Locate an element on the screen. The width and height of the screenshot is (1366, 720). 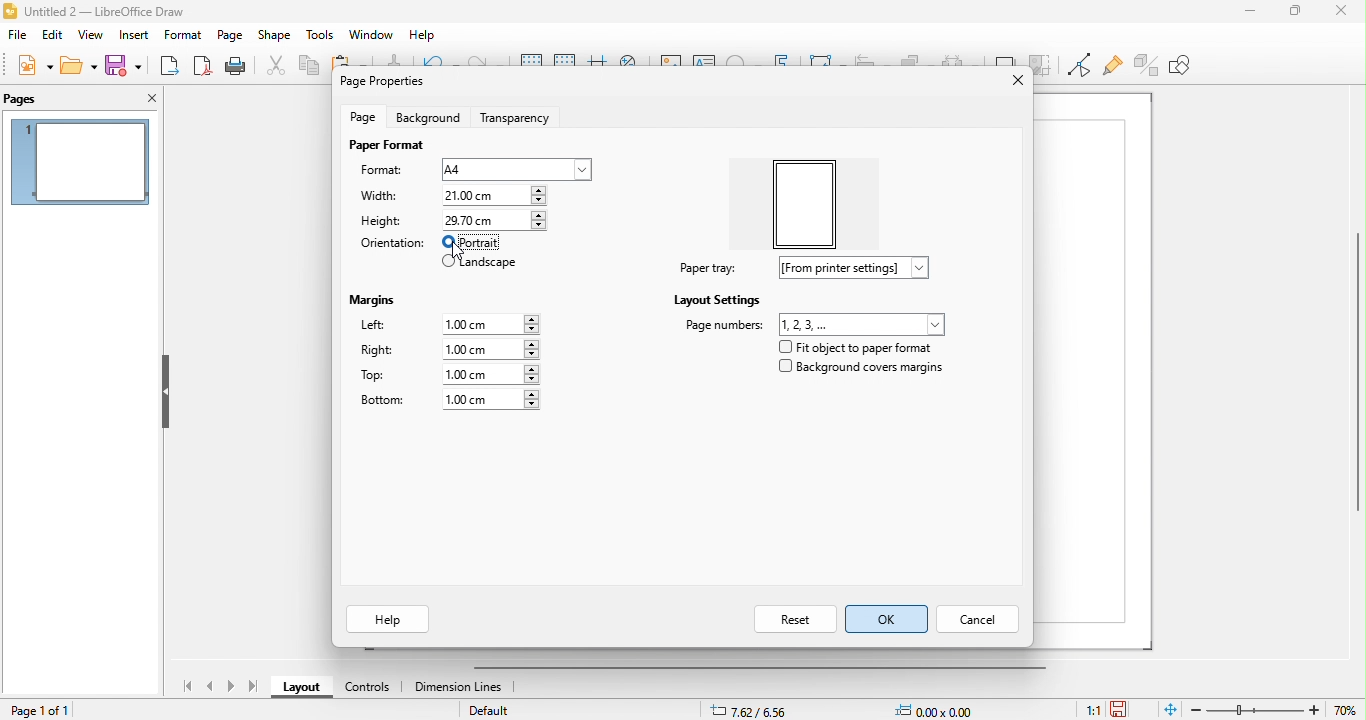
view is located at coordinates (91, 35).